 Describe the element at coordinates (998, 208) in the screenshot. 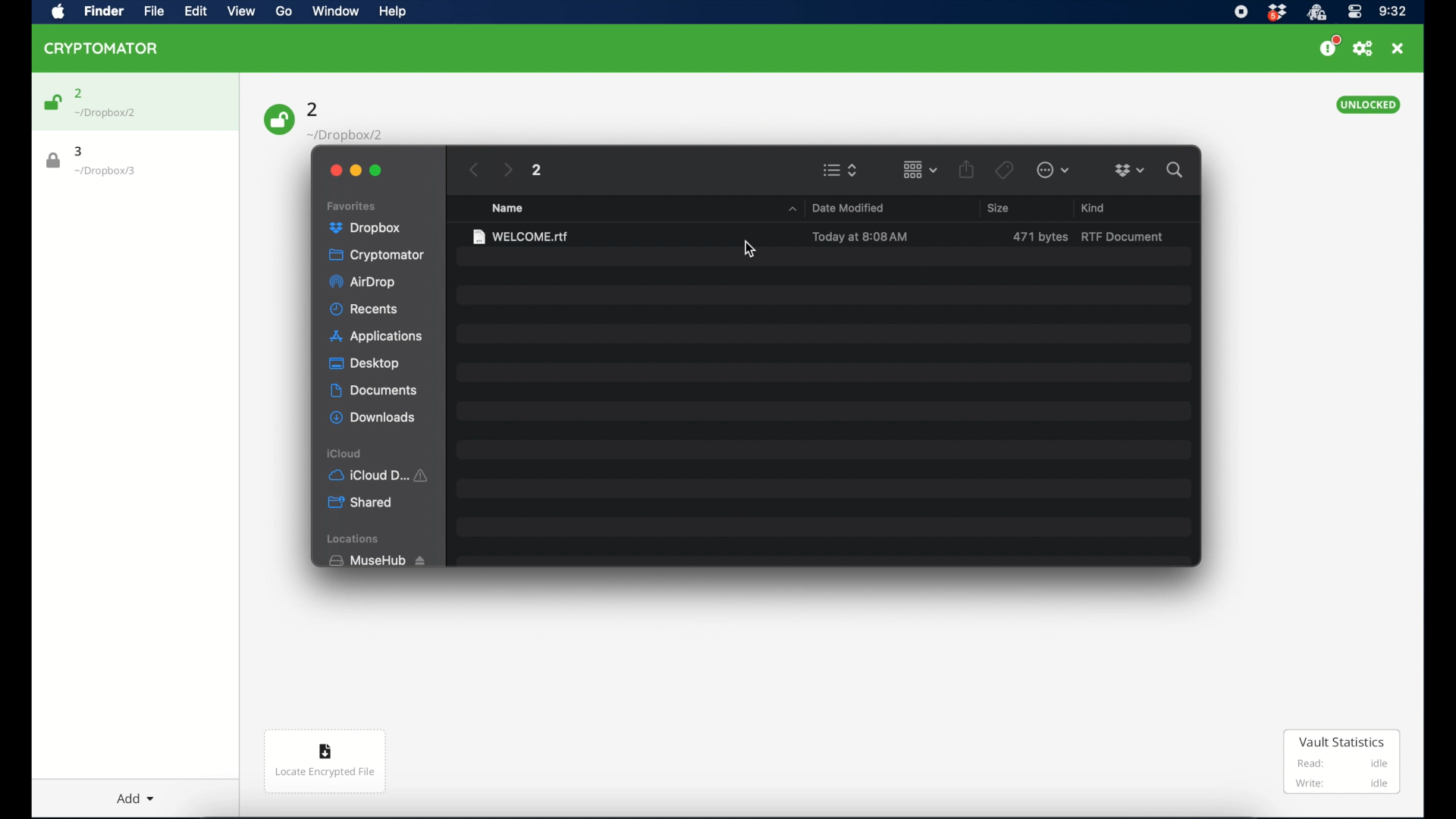

I see `size` at that location.